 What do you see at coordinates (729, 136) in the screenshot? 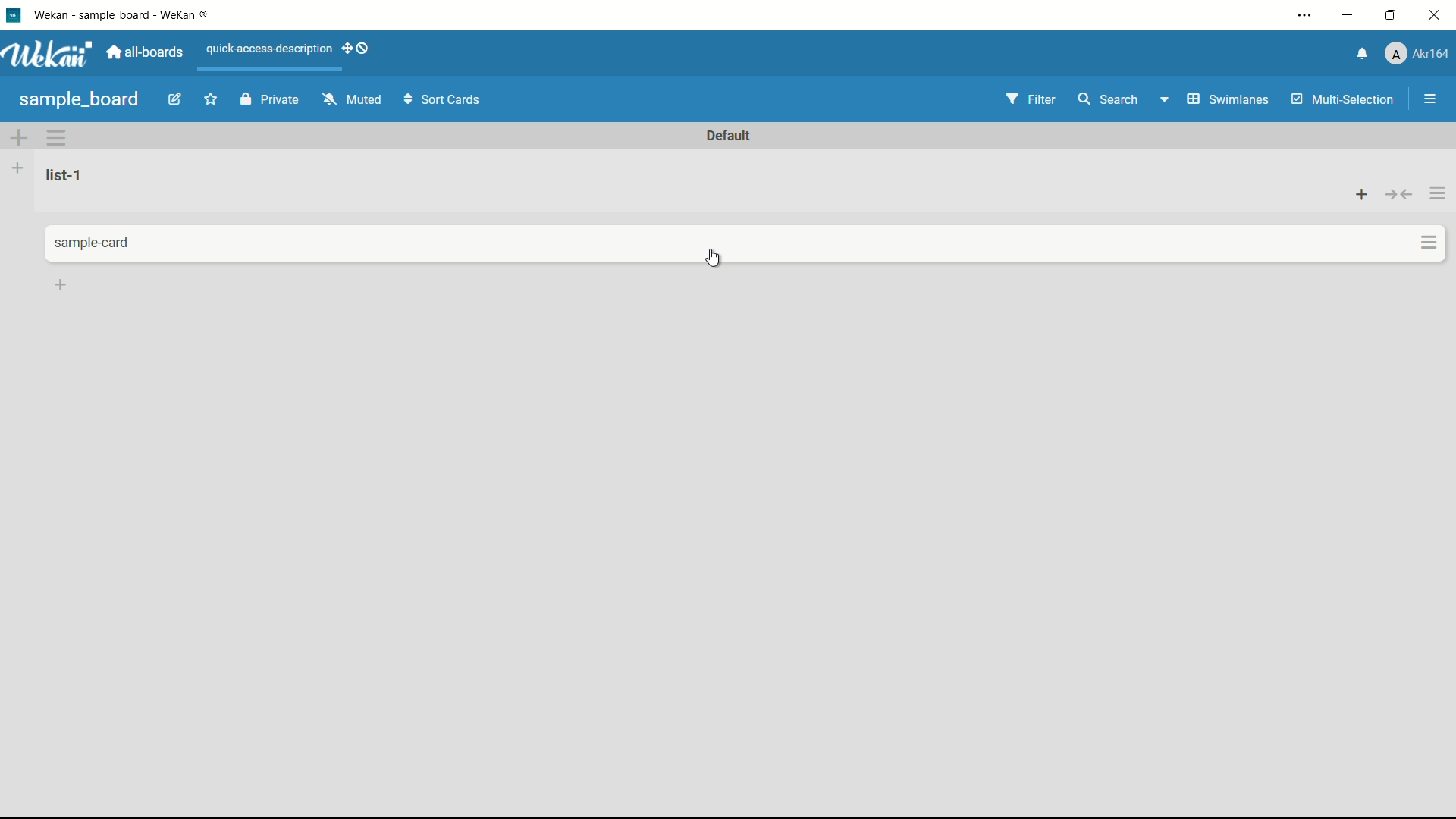
I see `default` at bounding box center [729, 136].